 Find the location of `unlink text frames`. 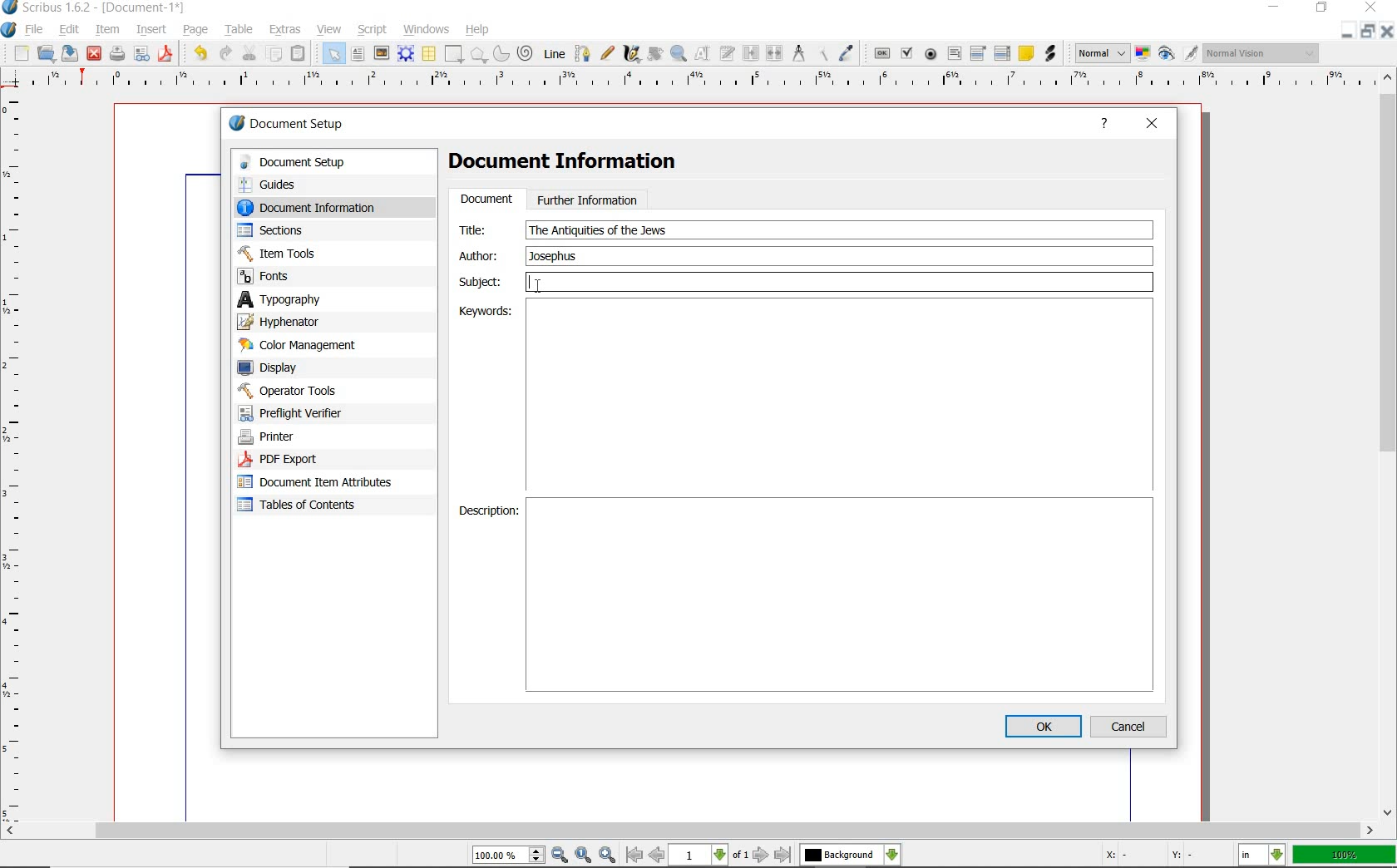

unlink text frames is located at coordinates (775, 52).